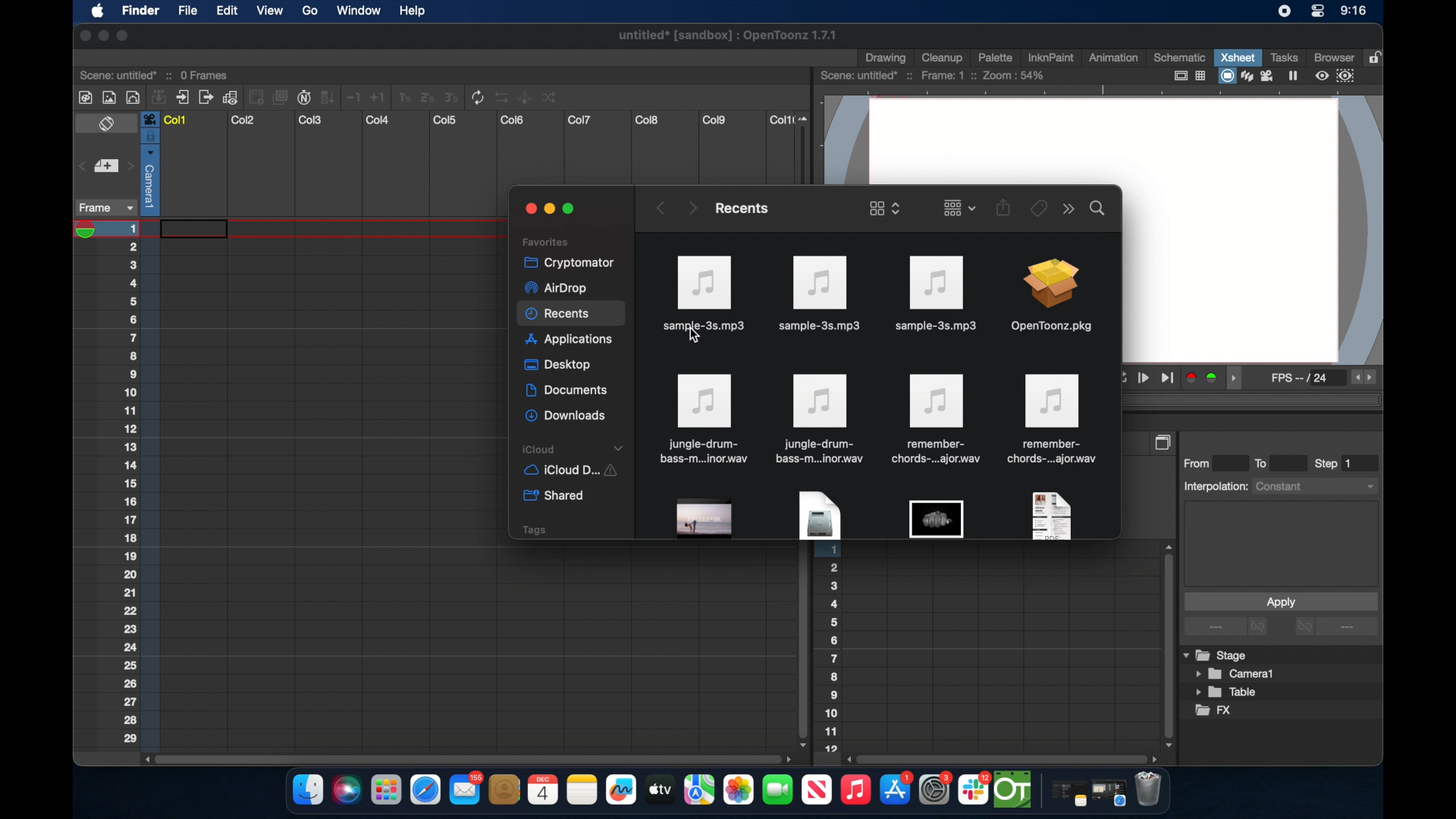 The height and width of the screenshot is (819, 1456). I want to click on next, so click(692, 207).